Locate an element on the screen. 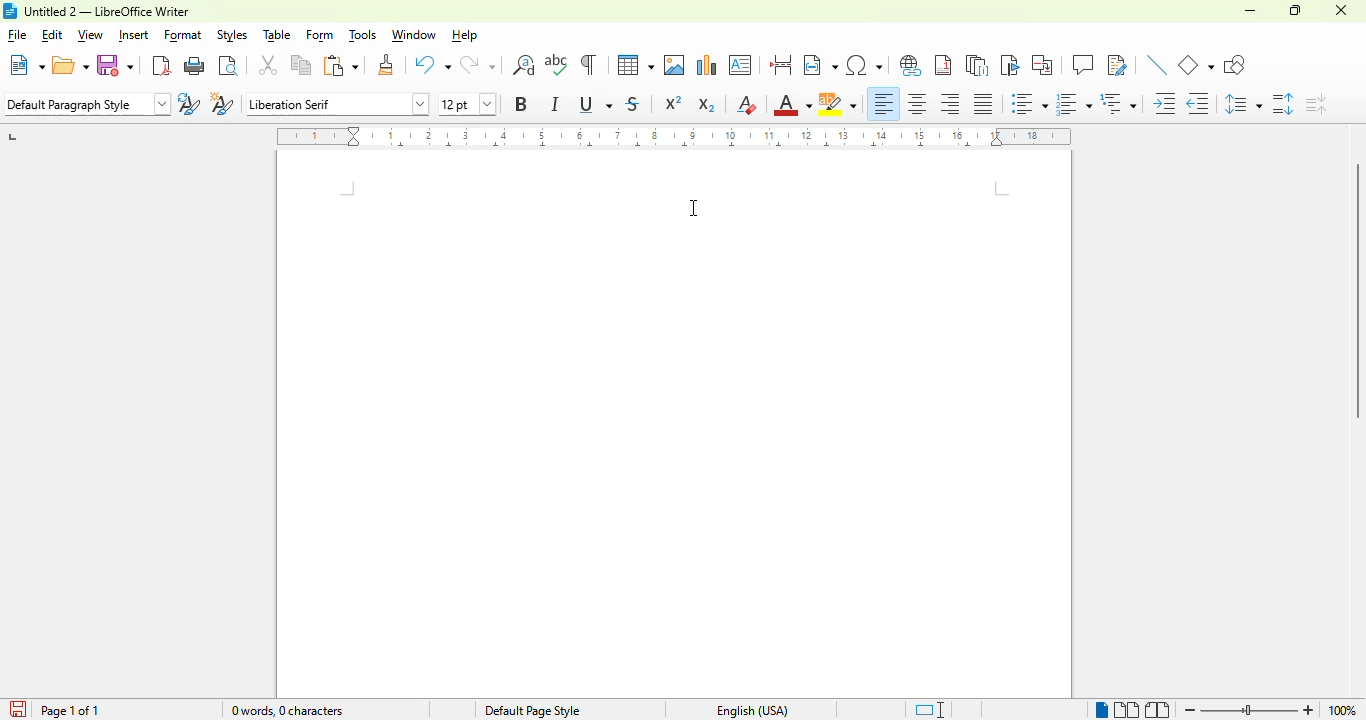 The height and width of the screenshot is (720, 1366). spelling is located at coordinates (557, 66).